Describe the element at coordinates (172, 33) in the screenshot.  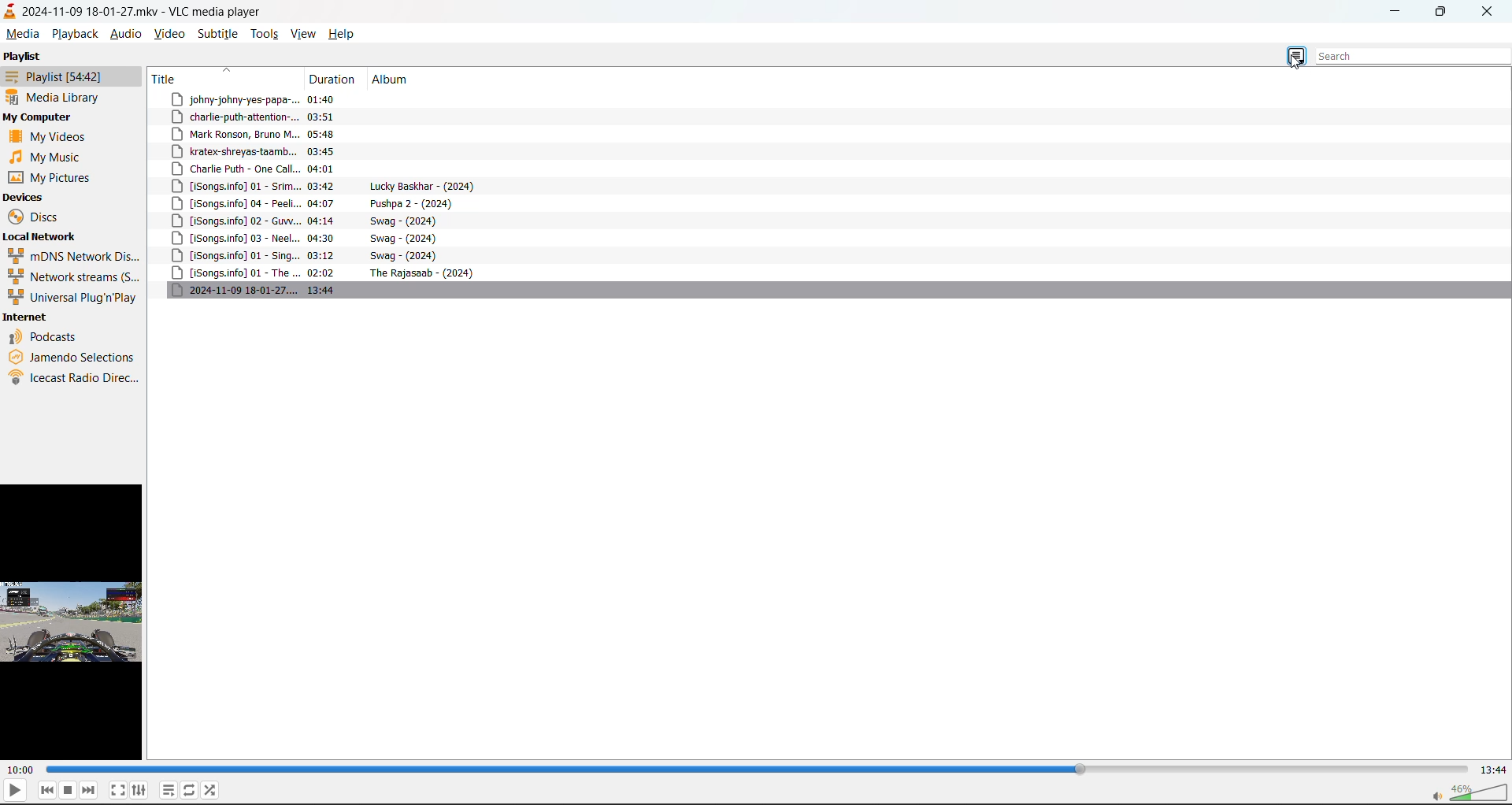
I see `video` at that location.